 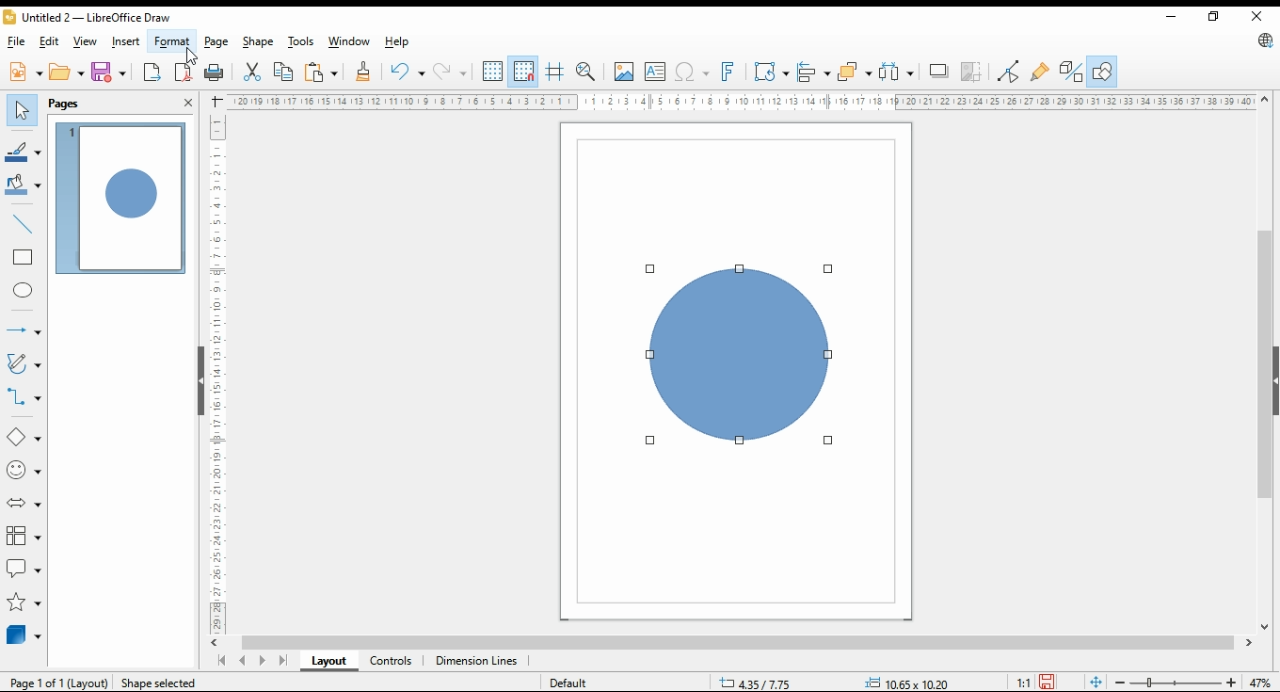 What do you see at coordinates (23, 601) in the screenshot?
I see `stars and banners` at bounding box center [23, 601].